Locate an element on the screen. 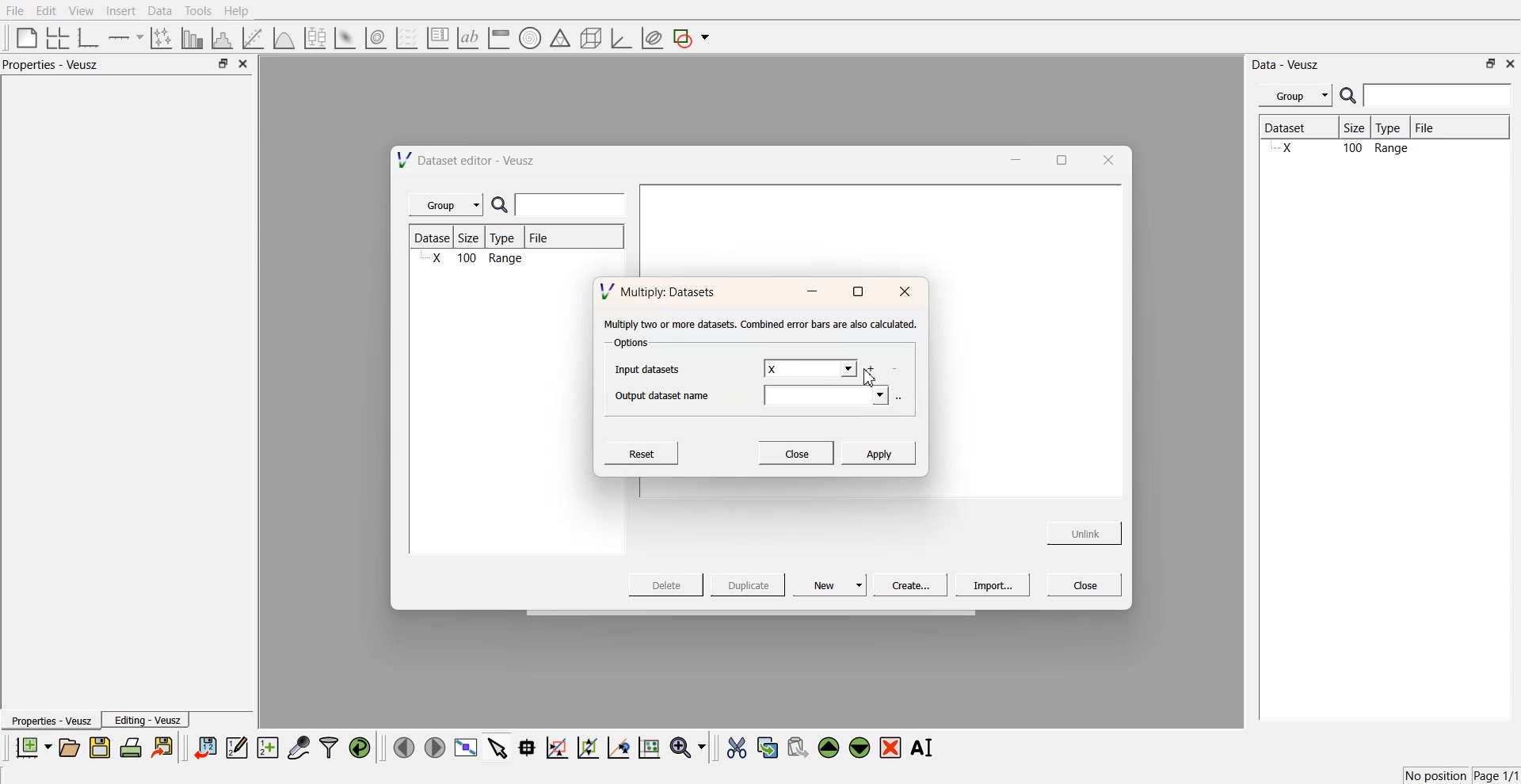 Image resolution: width=1521 pixels, height=784 pixels. minimise or maximise is located at coordinates (223, 64).